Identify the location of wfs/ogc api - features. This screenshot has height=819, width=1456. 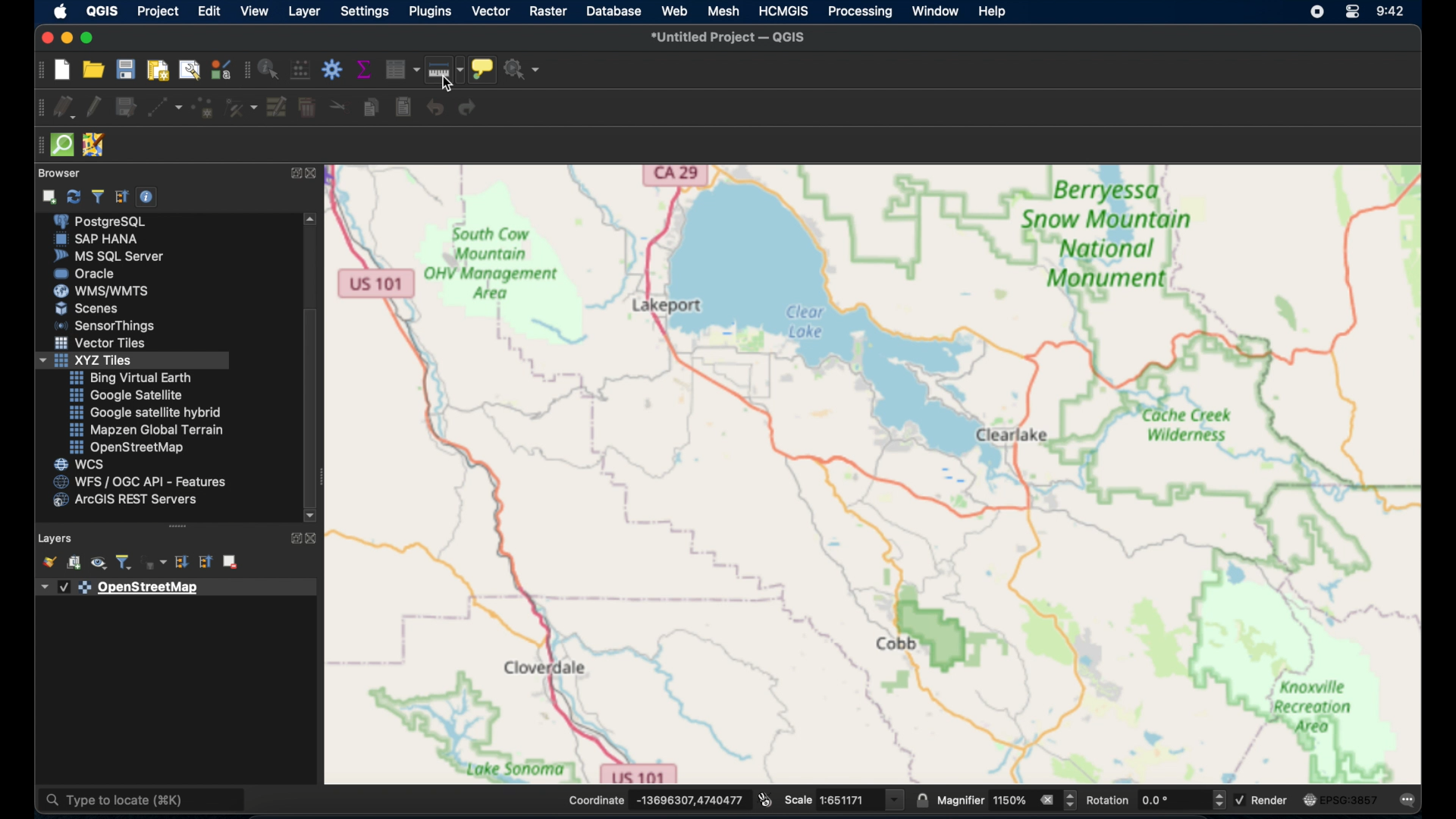
(140, 482).